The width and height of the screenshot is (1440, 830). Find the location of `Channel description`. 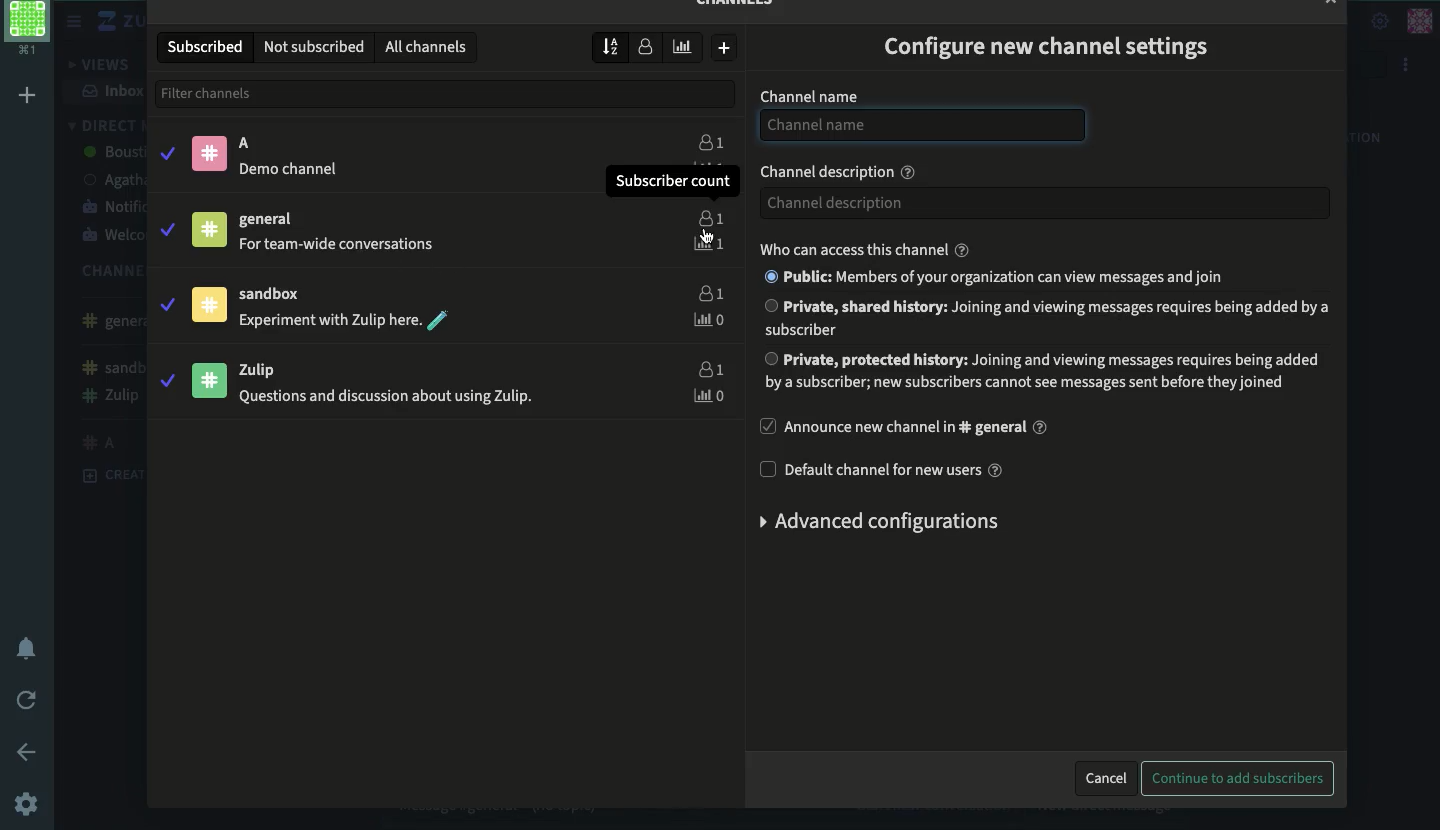

Channel description is located at coordinates (845, 205).